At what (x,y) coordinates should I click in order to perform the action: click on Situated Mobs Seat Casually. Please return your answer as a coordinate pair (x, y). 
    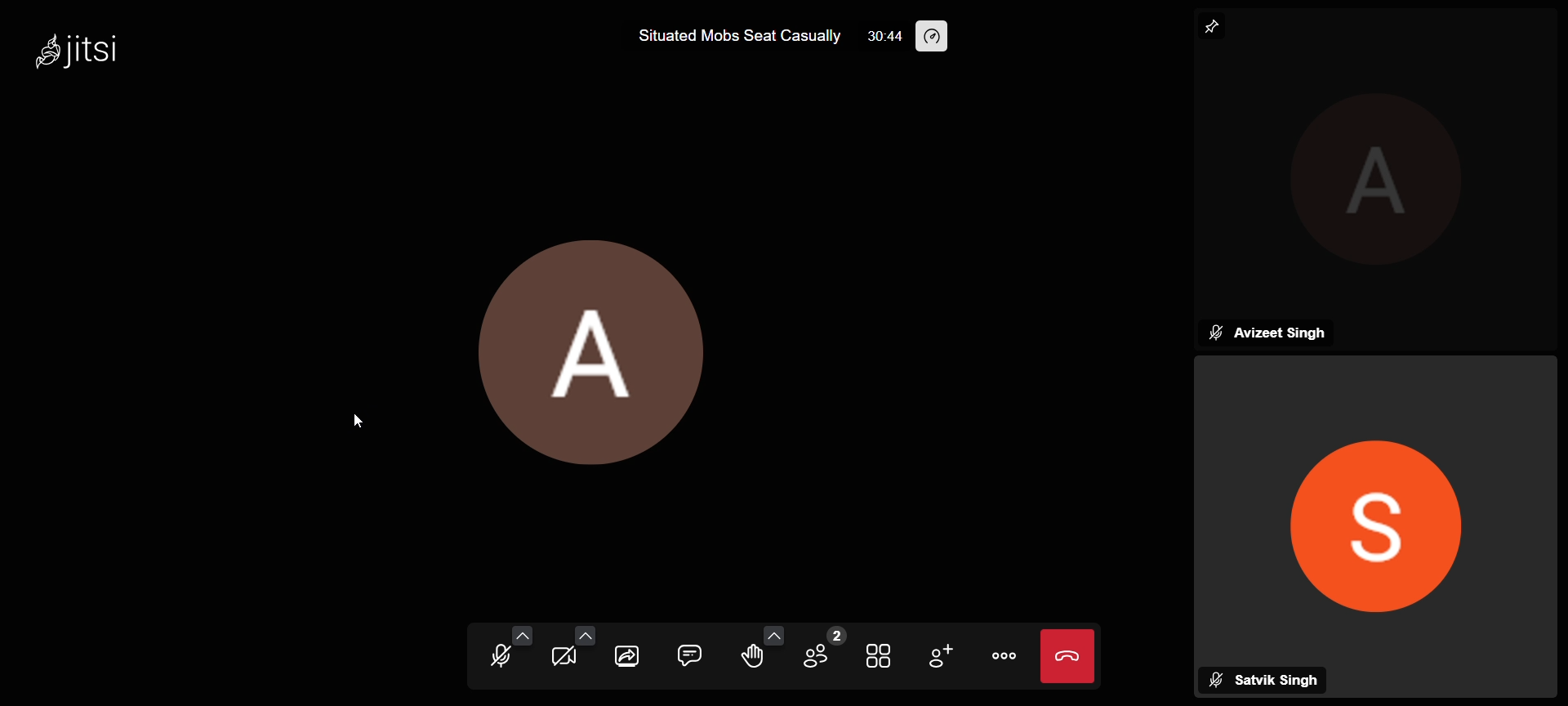
    Looking at the image, I should click on (737, 36).